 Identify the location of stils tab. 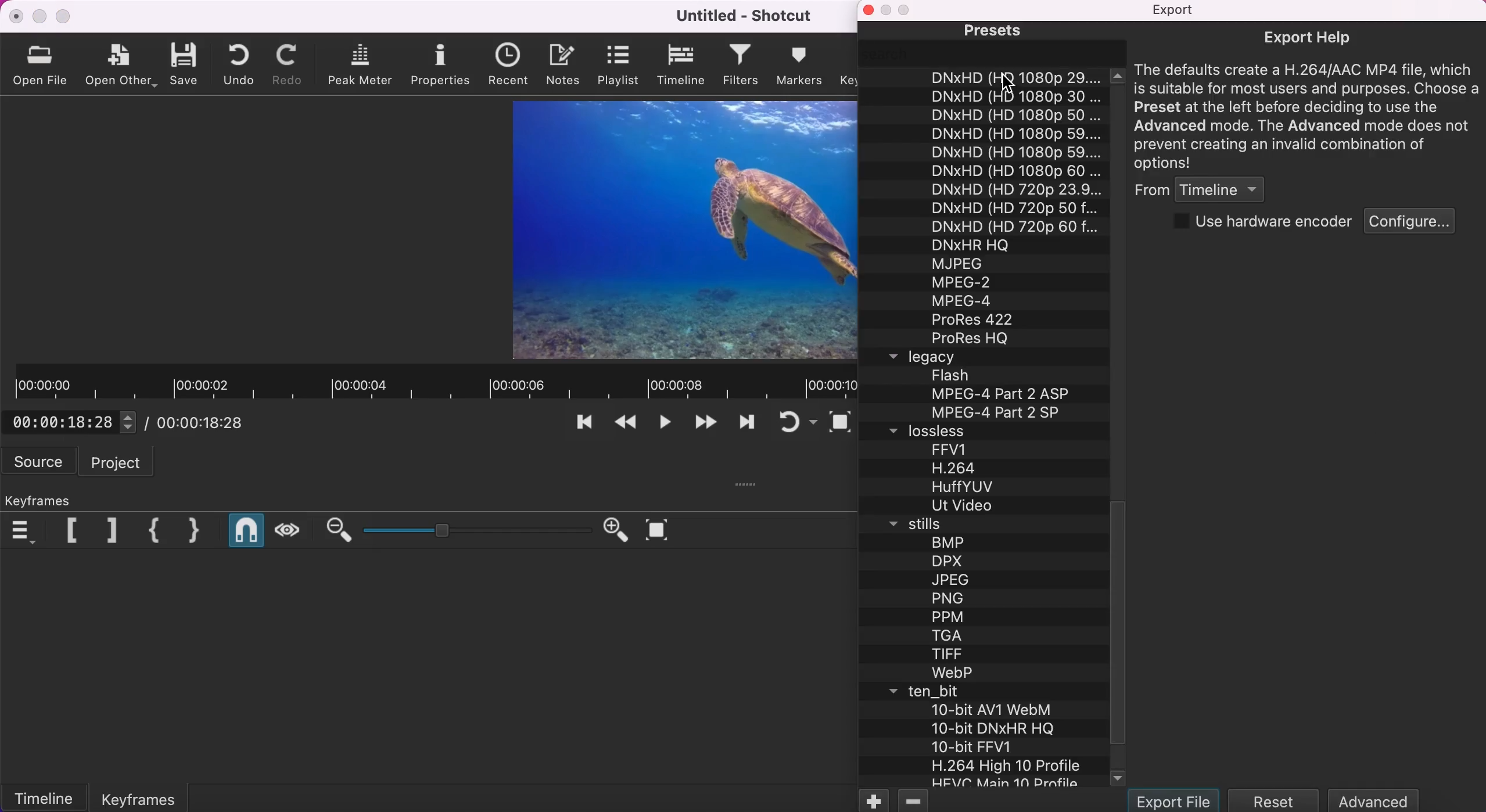
(984, 523).